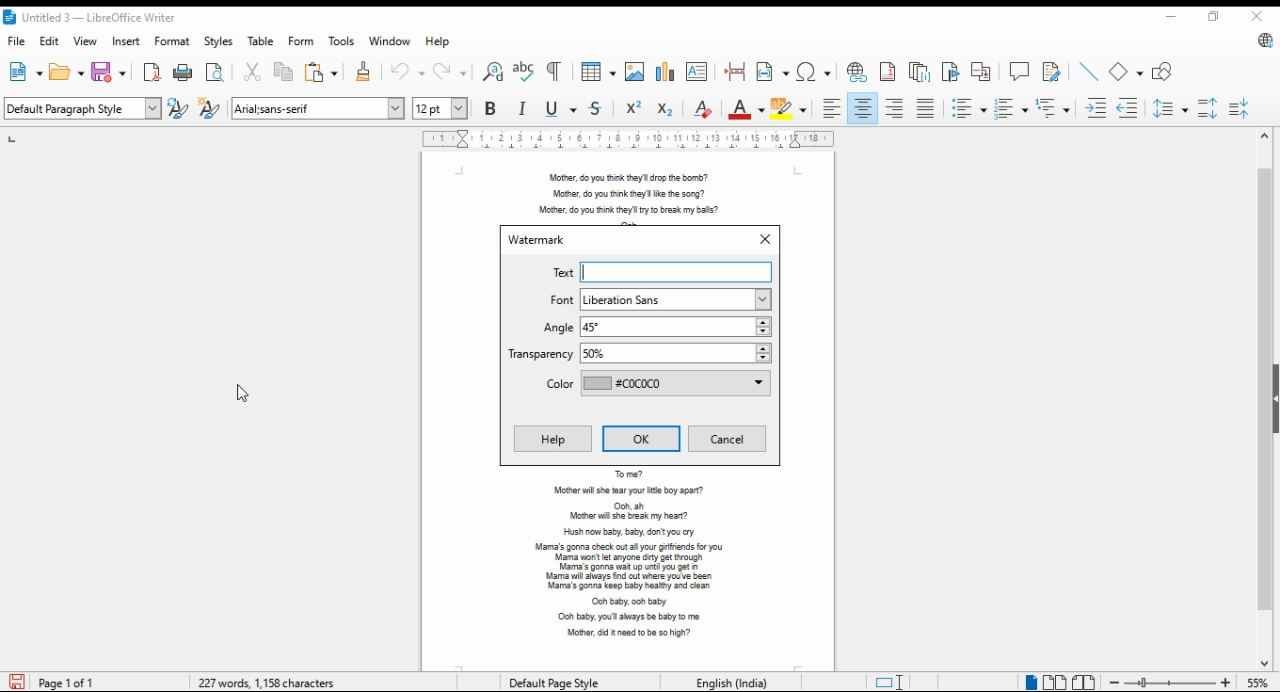 This screenshot has height=692, width=1280. What do you see at coordinates (322, 72) in the screenshot?
I see `paste` at bounding box center [322, 72].